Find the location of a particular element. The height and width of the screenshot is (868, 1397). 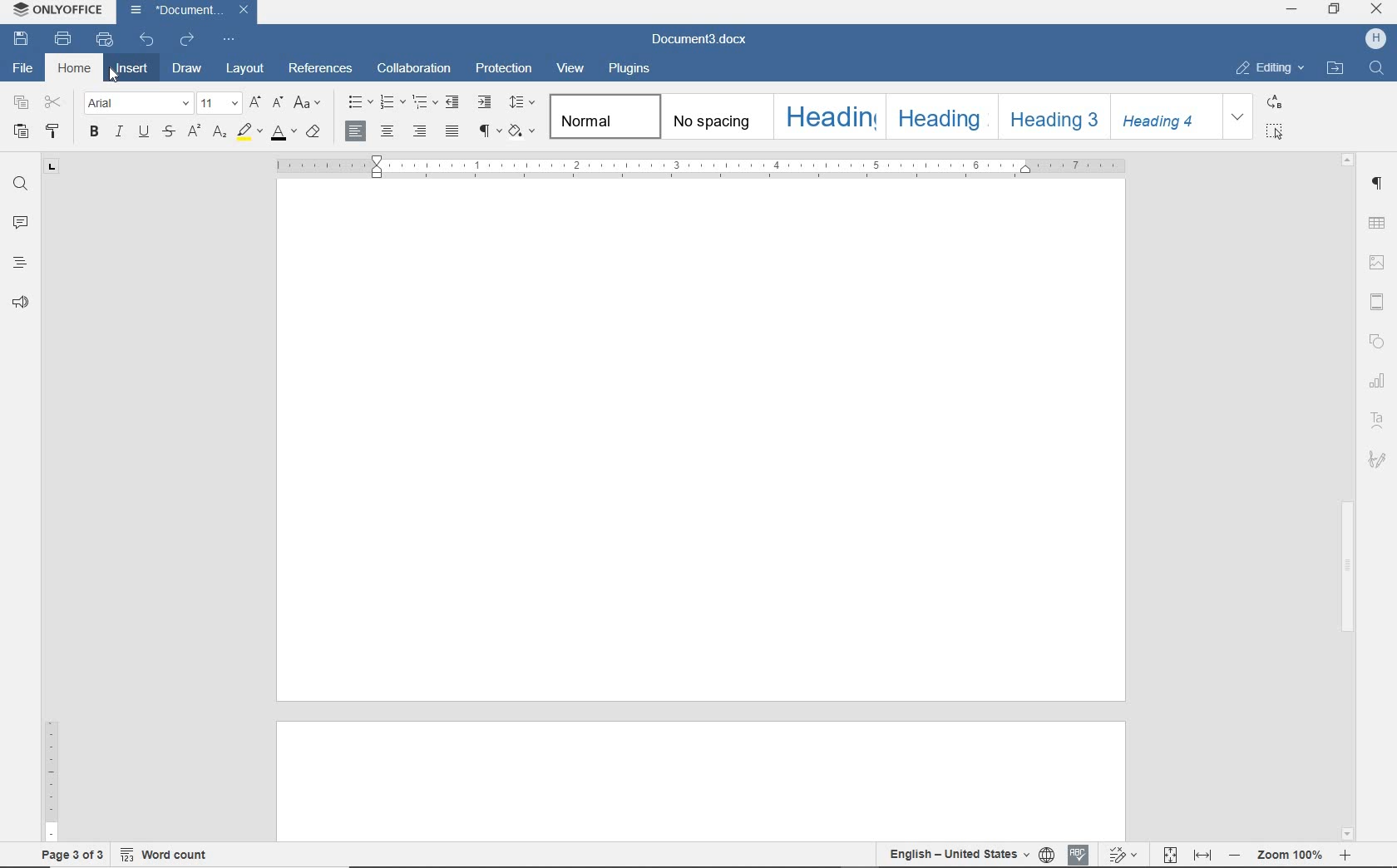

LAYOUT is located at coordinates (241, 70).